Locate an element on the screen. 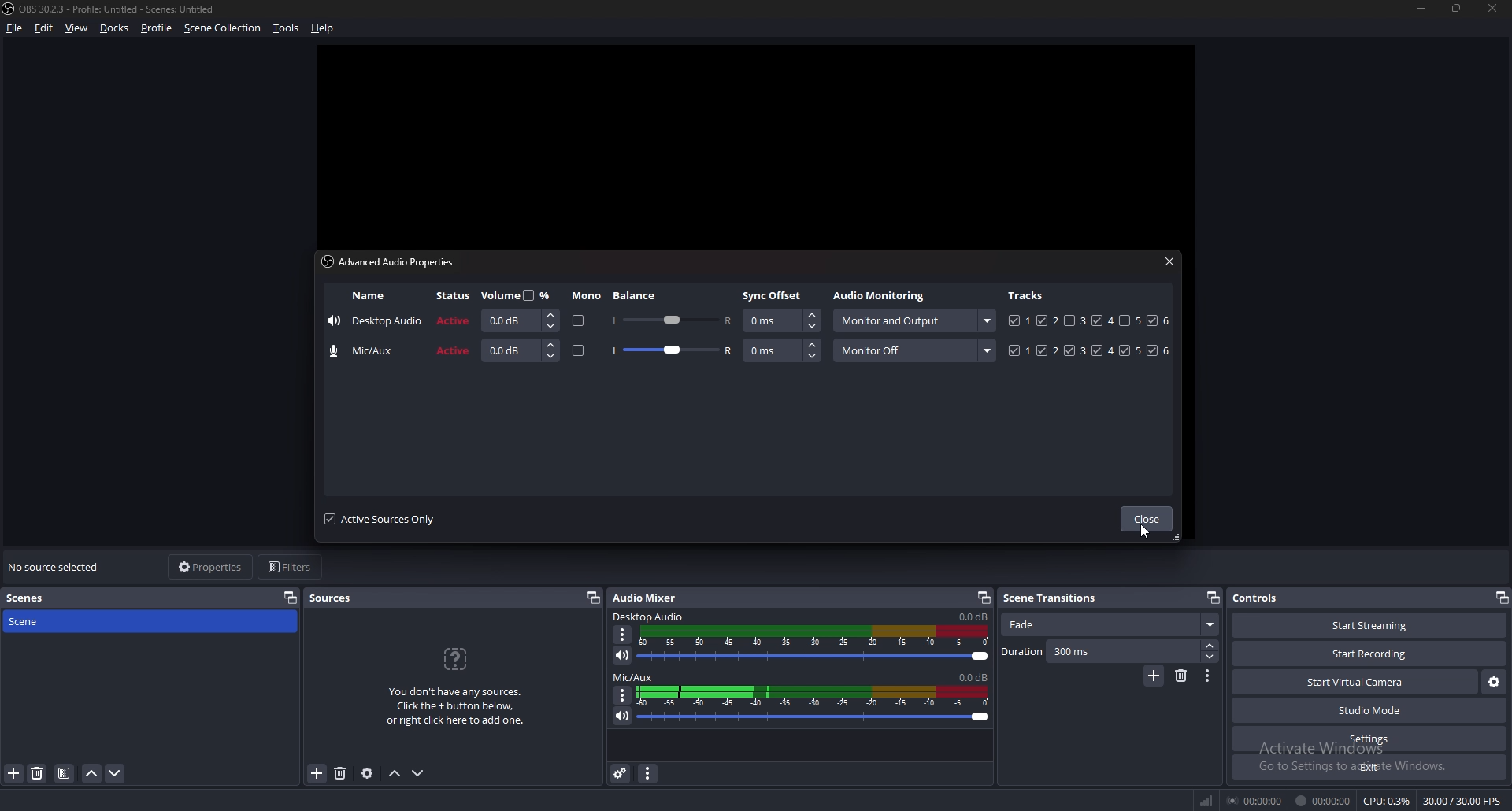  sync offset input is located at coordinates (781, 321).